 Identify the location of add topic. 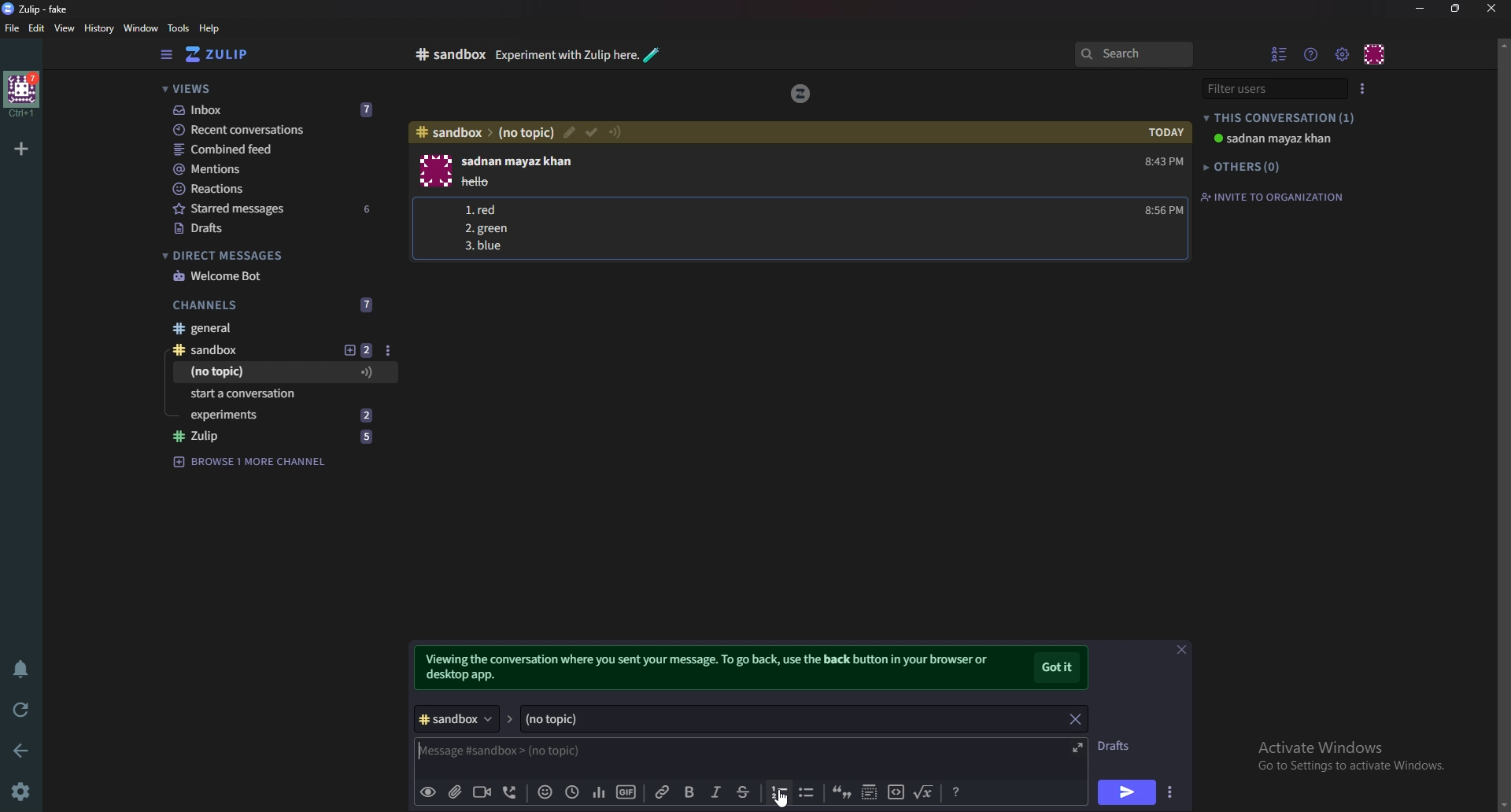
(359, 350).